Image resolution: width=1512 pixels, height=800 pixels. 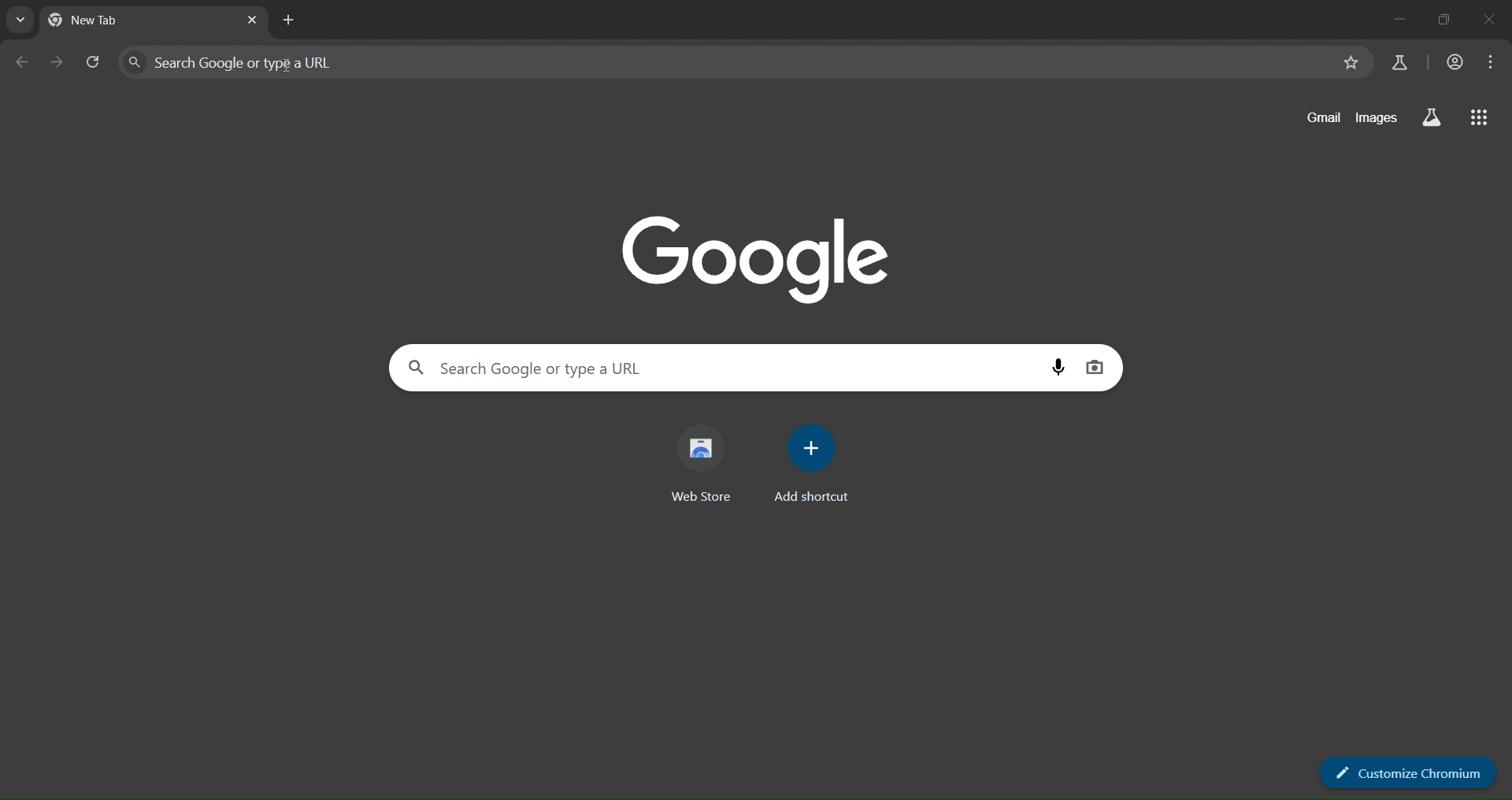 I want to click on maximize, so click(x=1444, y=20).